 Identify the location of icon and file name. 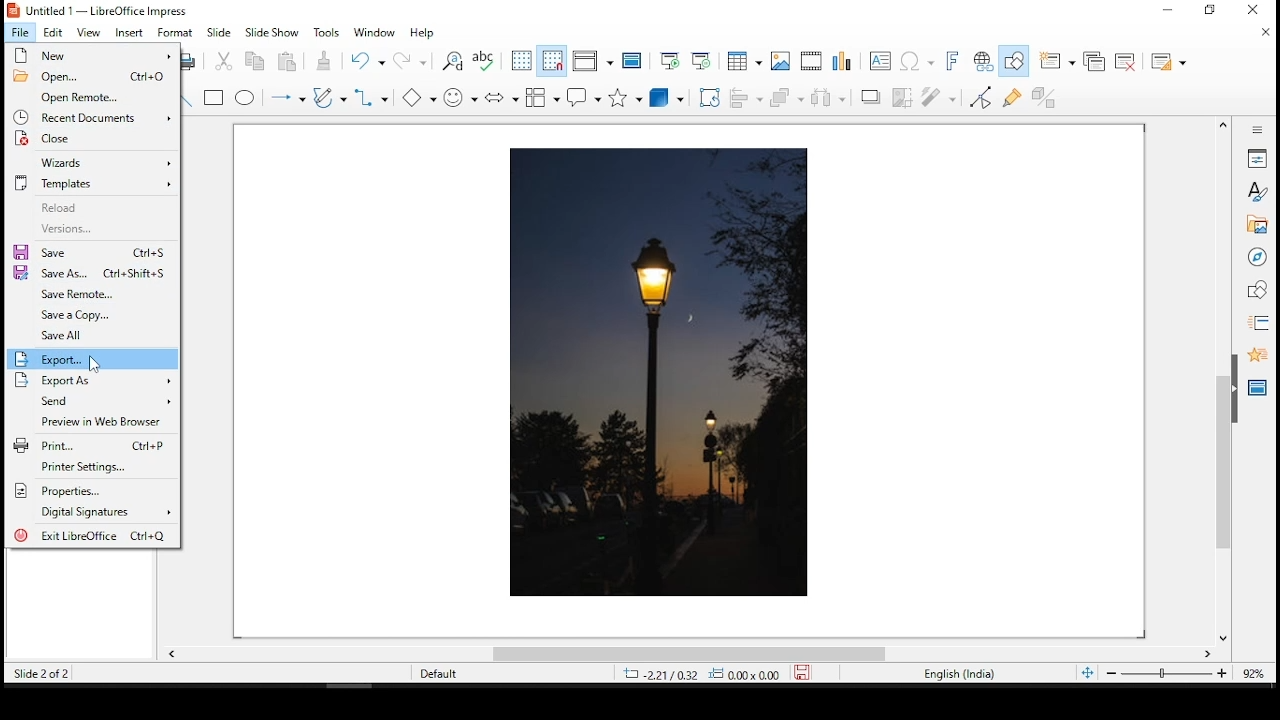
(114, 12).